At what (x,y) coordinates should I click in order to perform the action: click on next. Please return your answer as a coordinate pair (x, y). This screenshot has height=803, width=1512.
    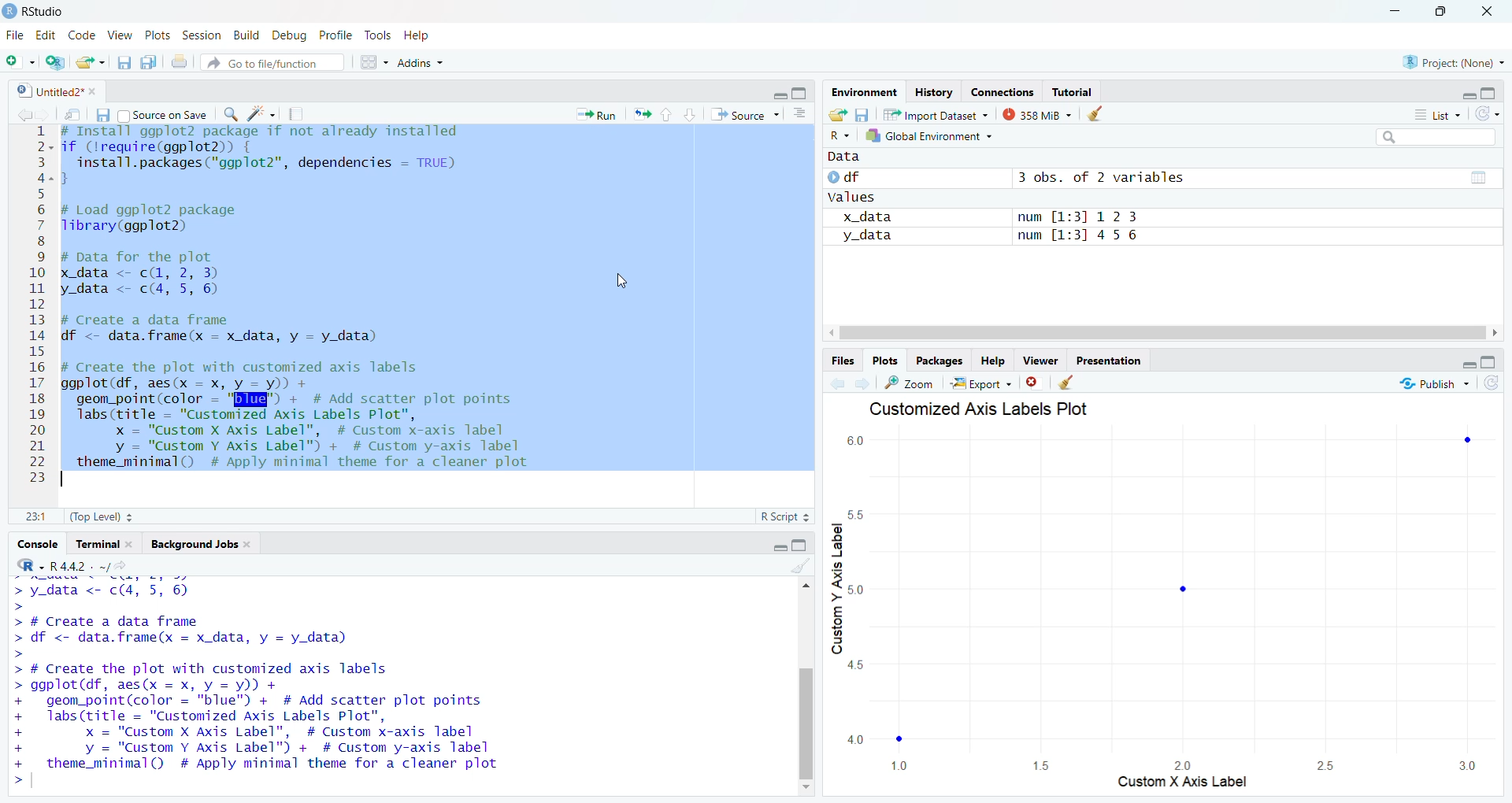
    Looking at the image, I should click on (862, 380).